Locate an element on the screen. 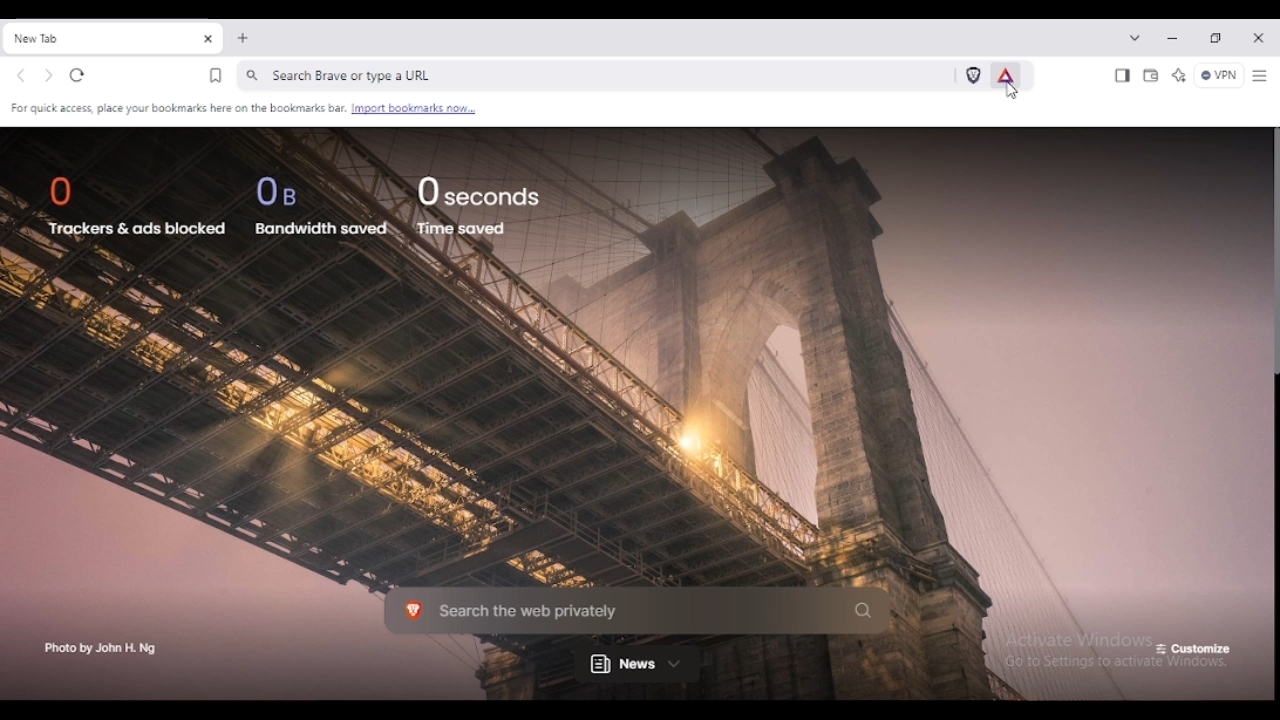 This screenshot has width=1280, height=720. brave firewall + VPN is located at coordinates (1218, 75).